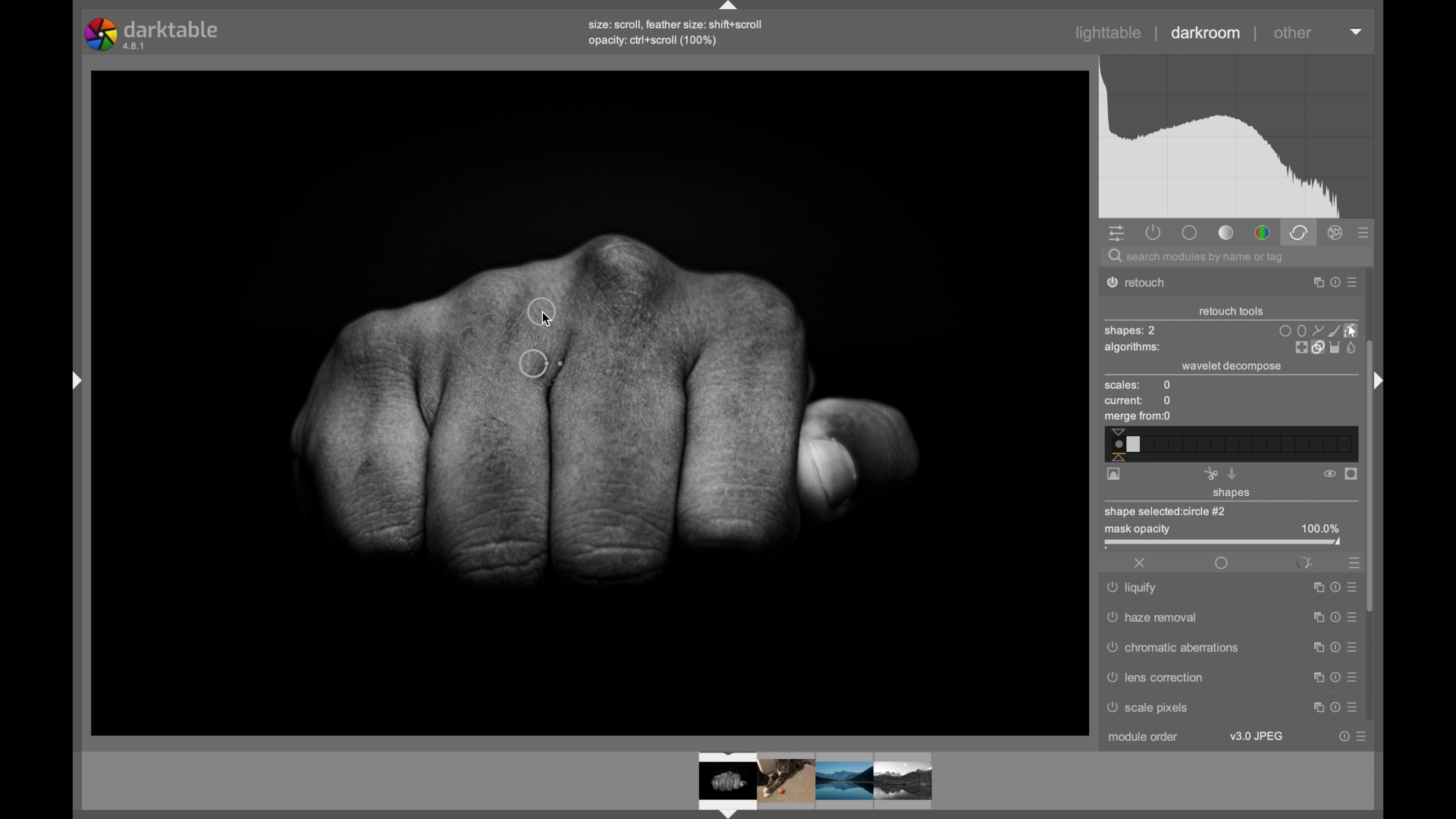  What do you see at coordinates (1114, 475) in the screenshot?
I see `display wavelet scale` at bounding box center [1114, 475].